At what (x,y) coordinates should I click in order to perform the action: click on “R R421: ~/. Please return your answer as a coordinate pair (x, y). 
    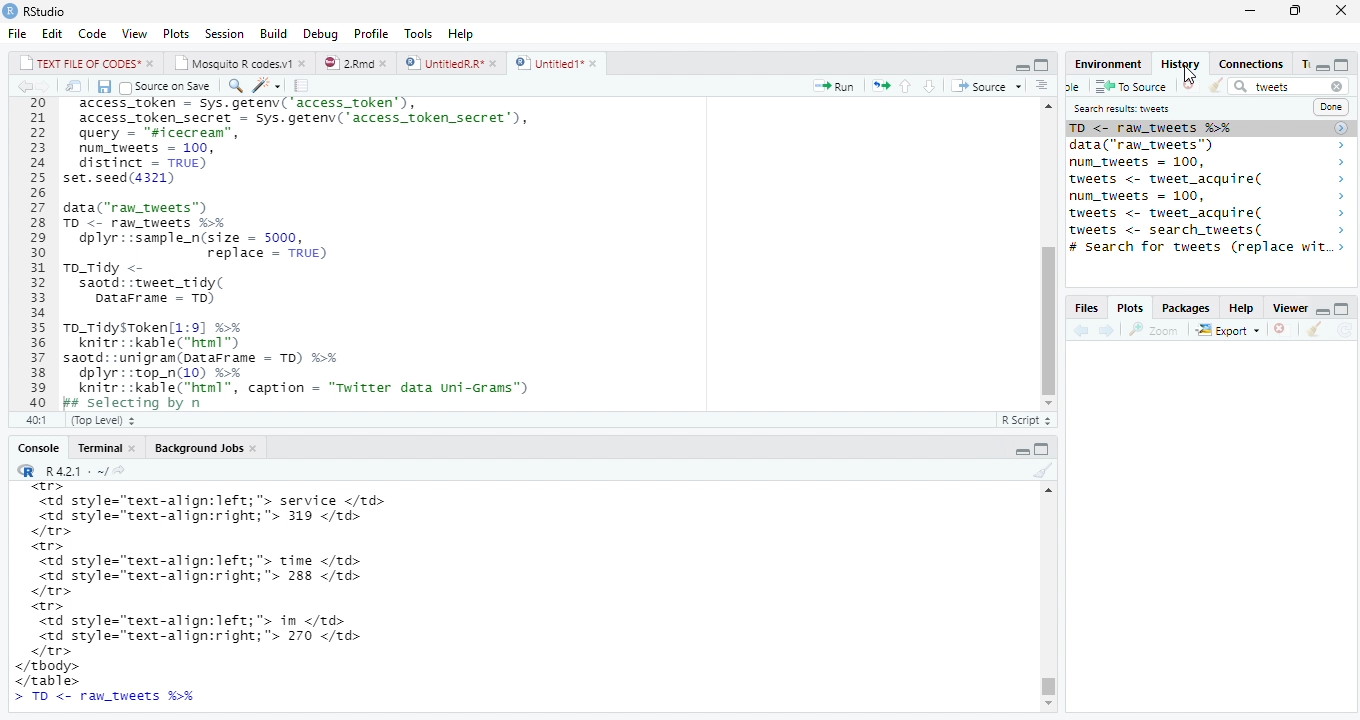
    Looking at the image, I should click on (79, 469).